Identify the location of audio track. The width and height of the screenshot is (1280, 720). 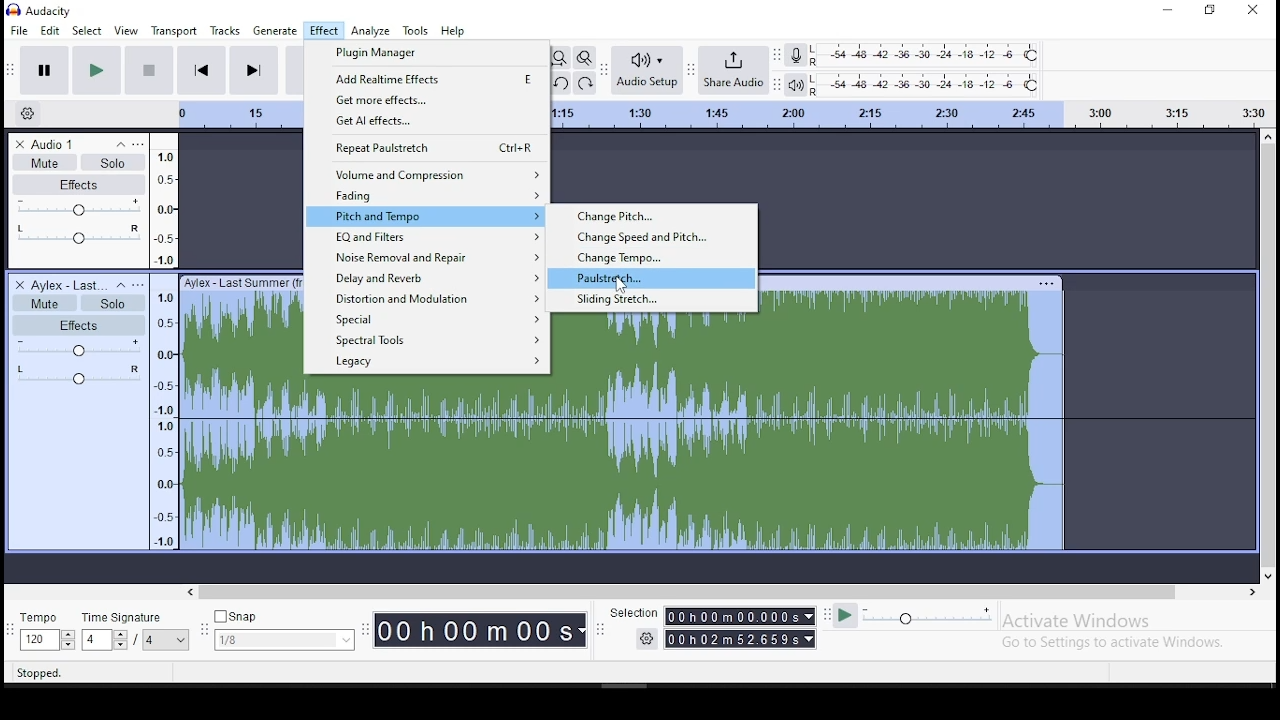
(428, 463).